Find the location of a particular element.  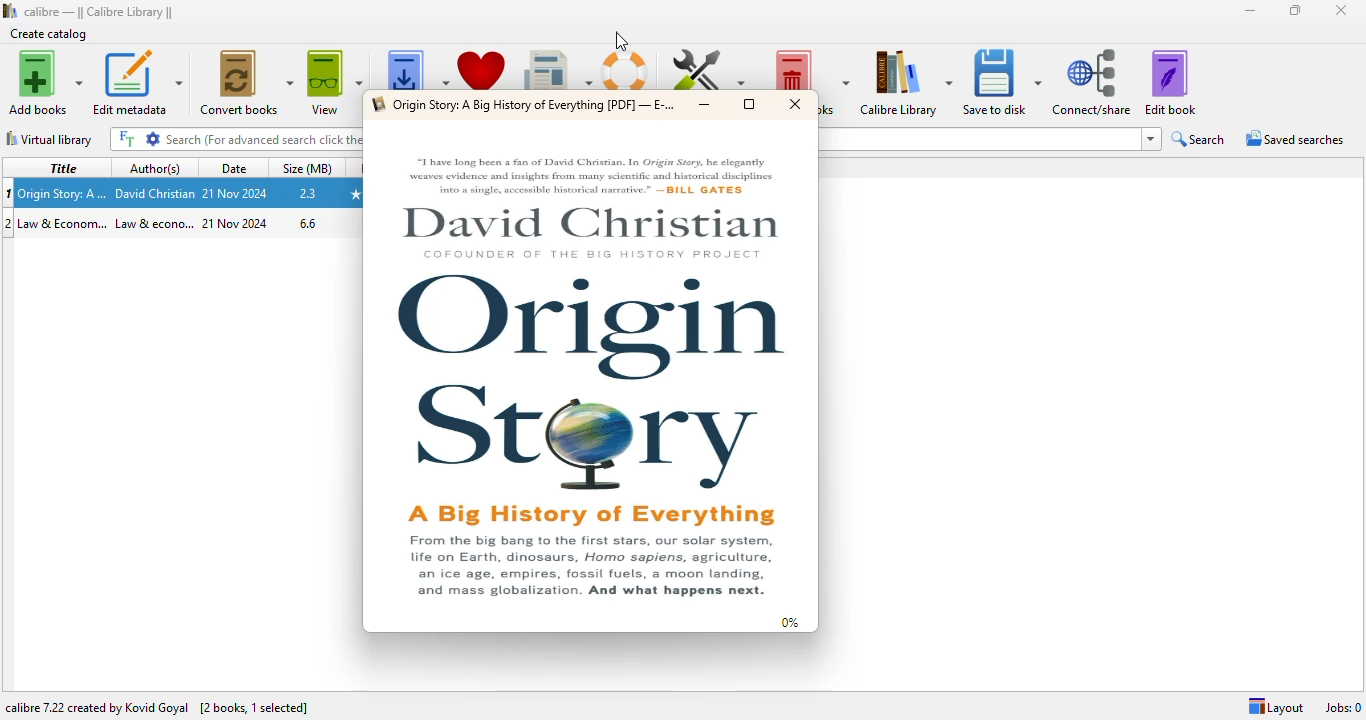

help is located at coordinates (628, 69).